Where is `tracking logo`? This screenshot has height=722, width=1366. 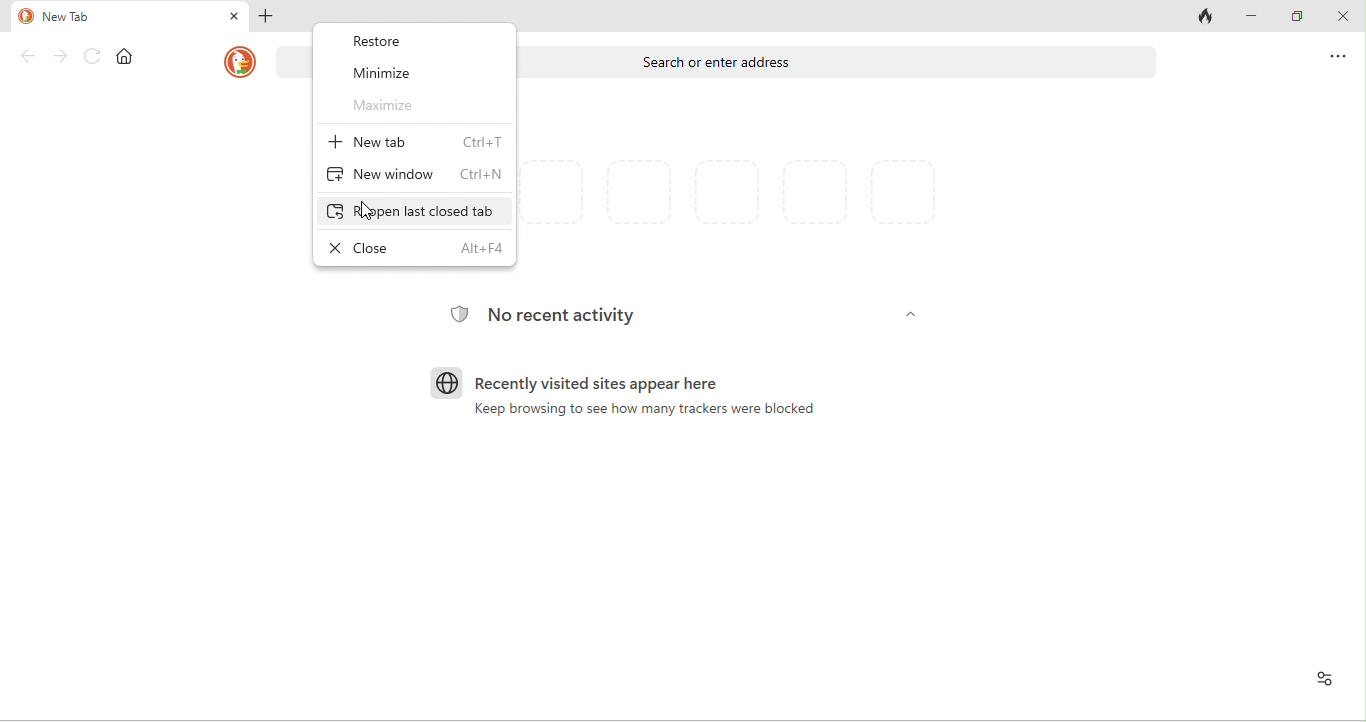
tracking logo is located at coordinates (458, 314).